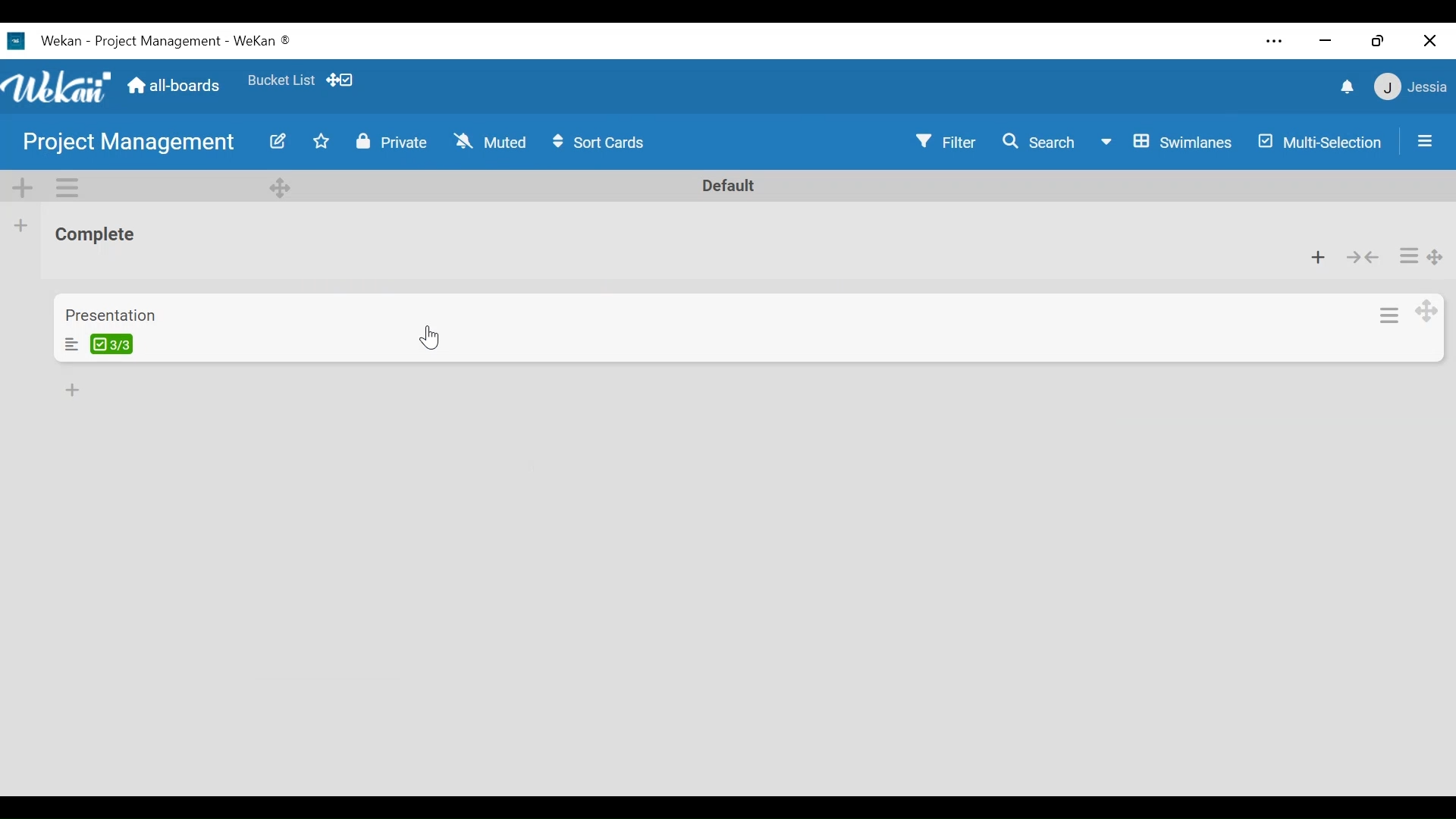 Image resolution: width=1456 pixels, height=819 pixels. What do you see at coordinates (1376, 42) in the screenshot?
I see `Restore` at bounding box center [1376, 42].